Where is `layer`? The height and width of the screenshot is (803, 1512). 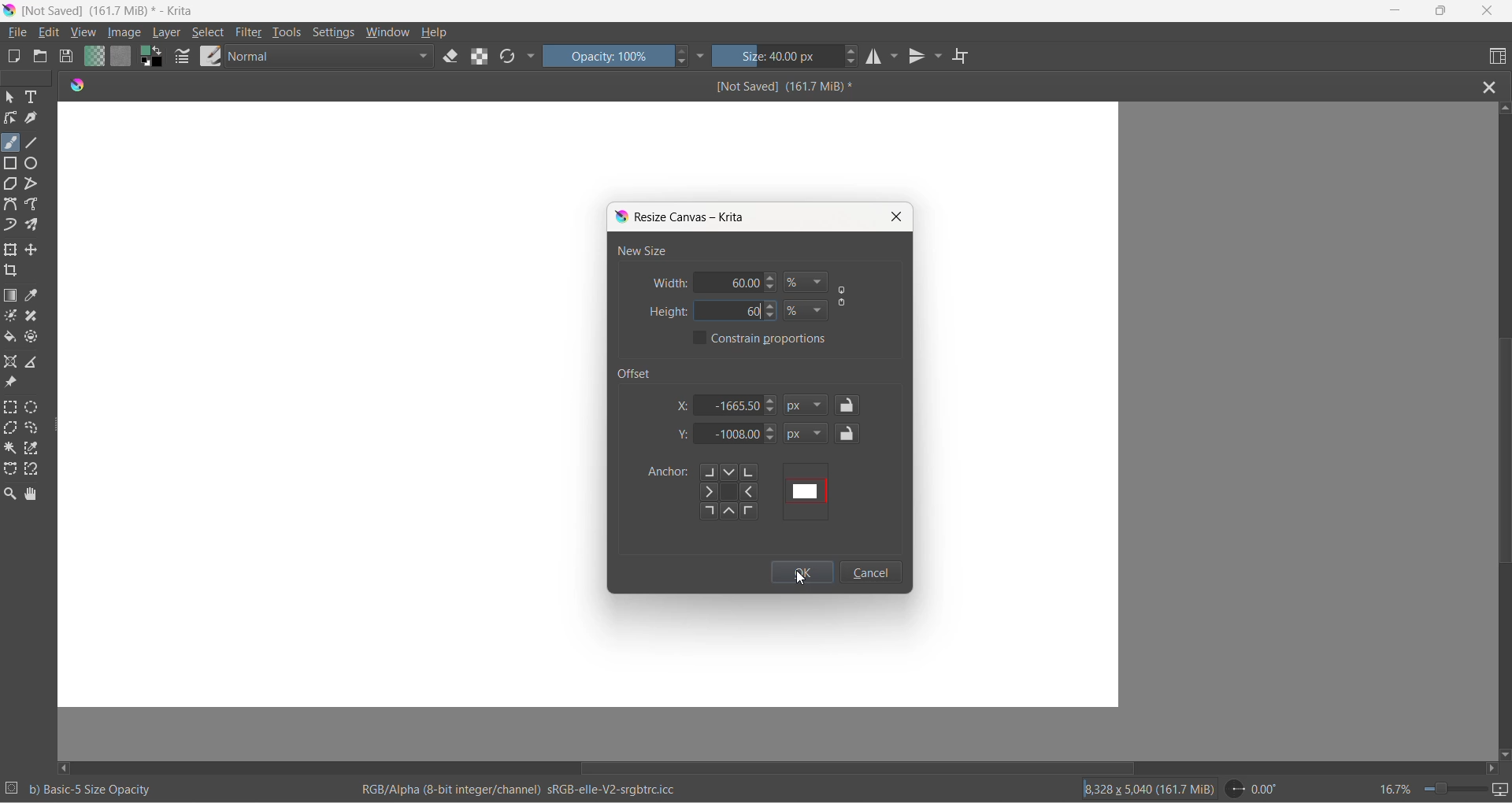 layer is located at coordinates (169, 33).